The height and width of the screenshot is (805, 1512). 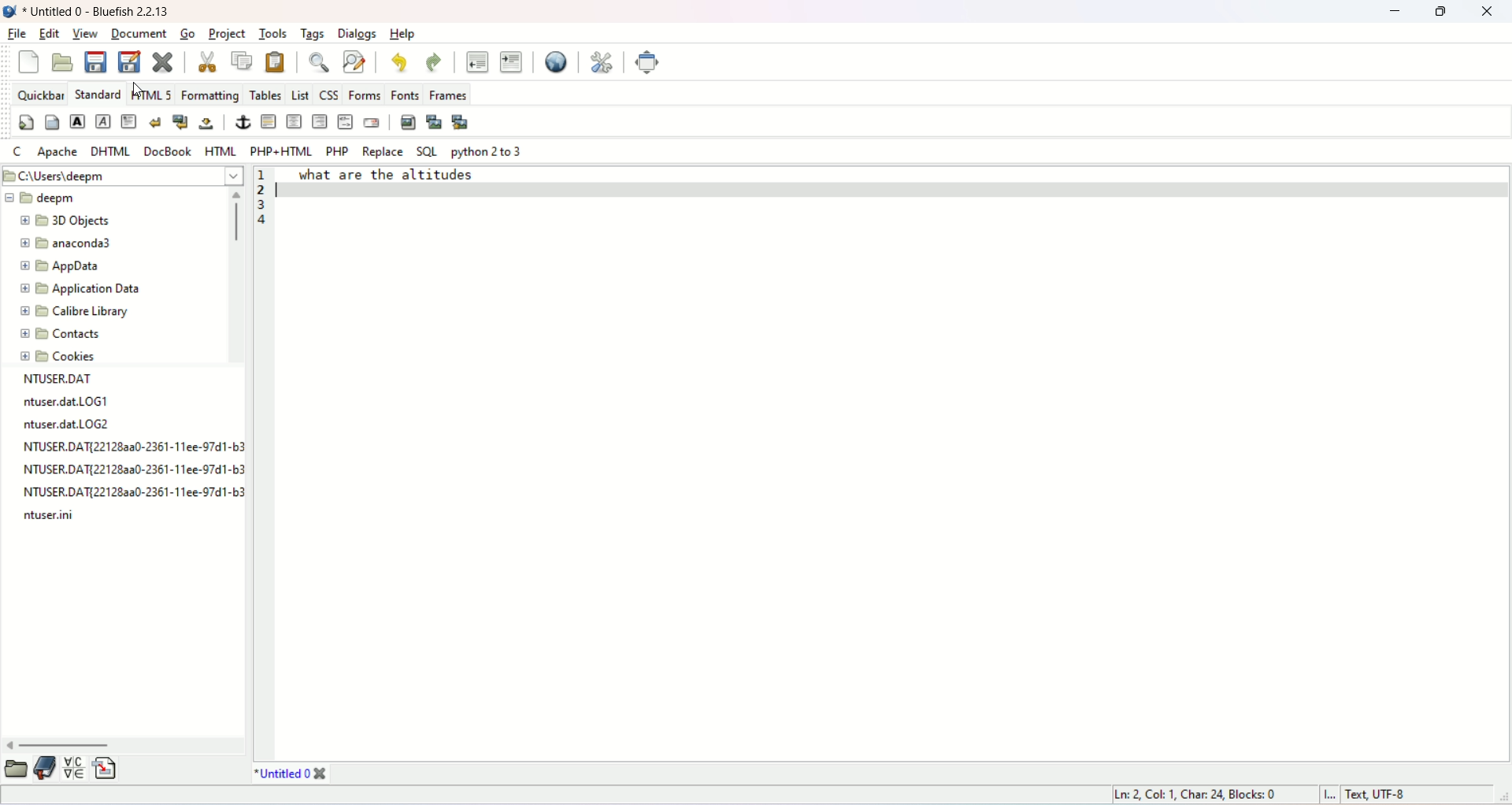 What do you see at coordinates (16, 35) in the screenshot?
I see `file` at bounding box center [16, 35].